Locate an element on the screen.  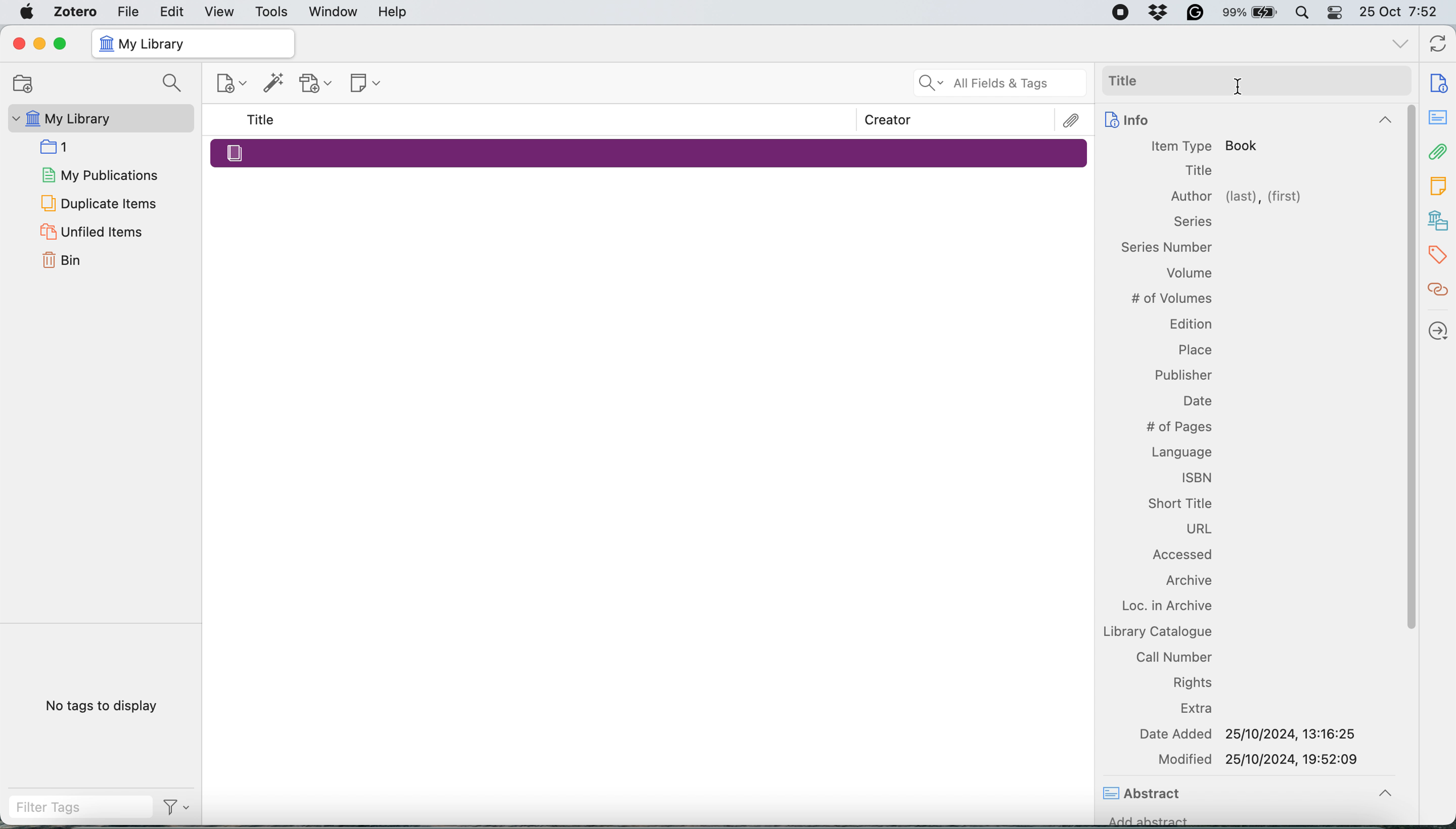
Grammarly is located at coordinates (1196, 12).